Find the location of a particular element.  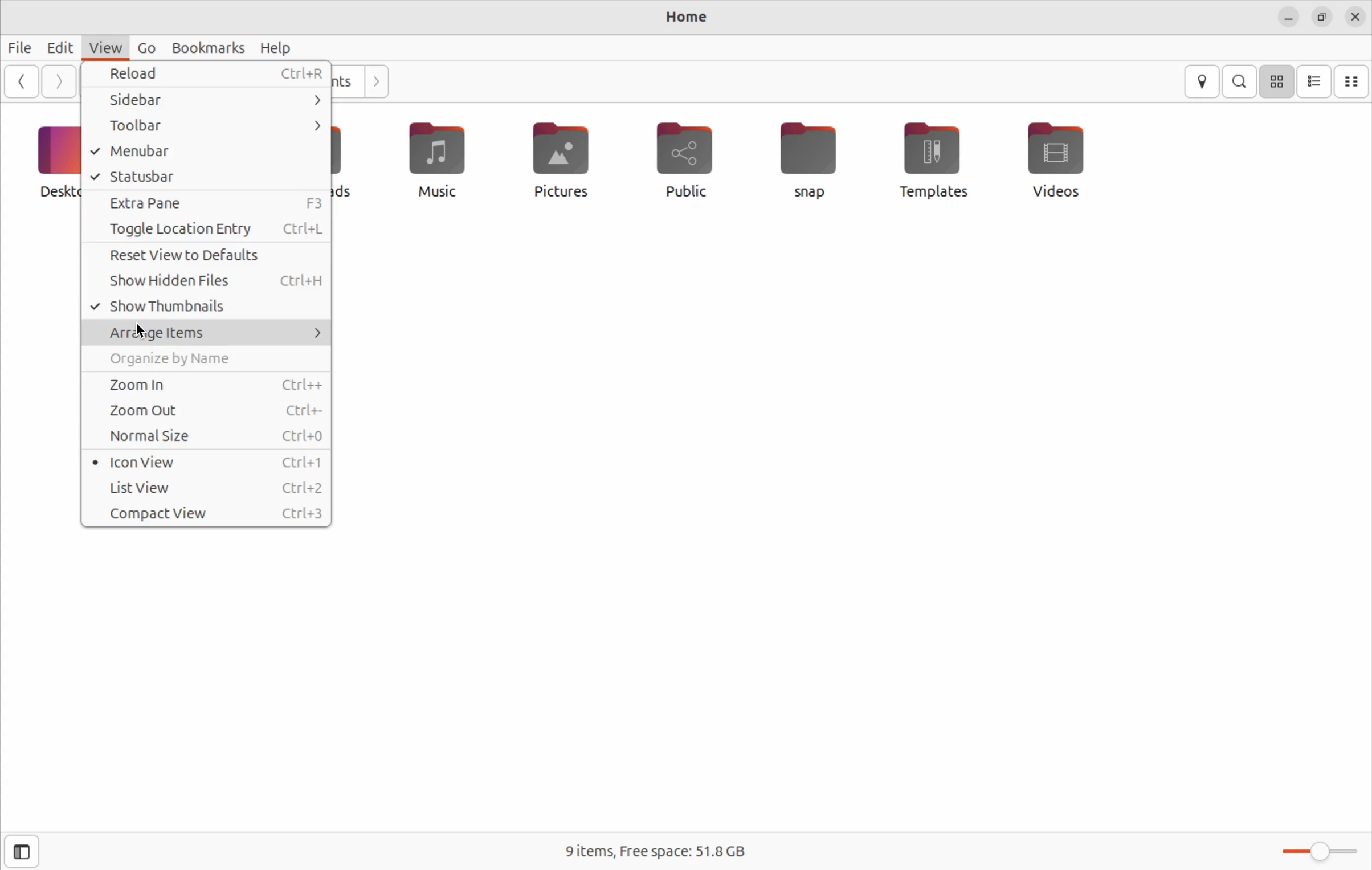

close files is located at coordinates (1354, 18).